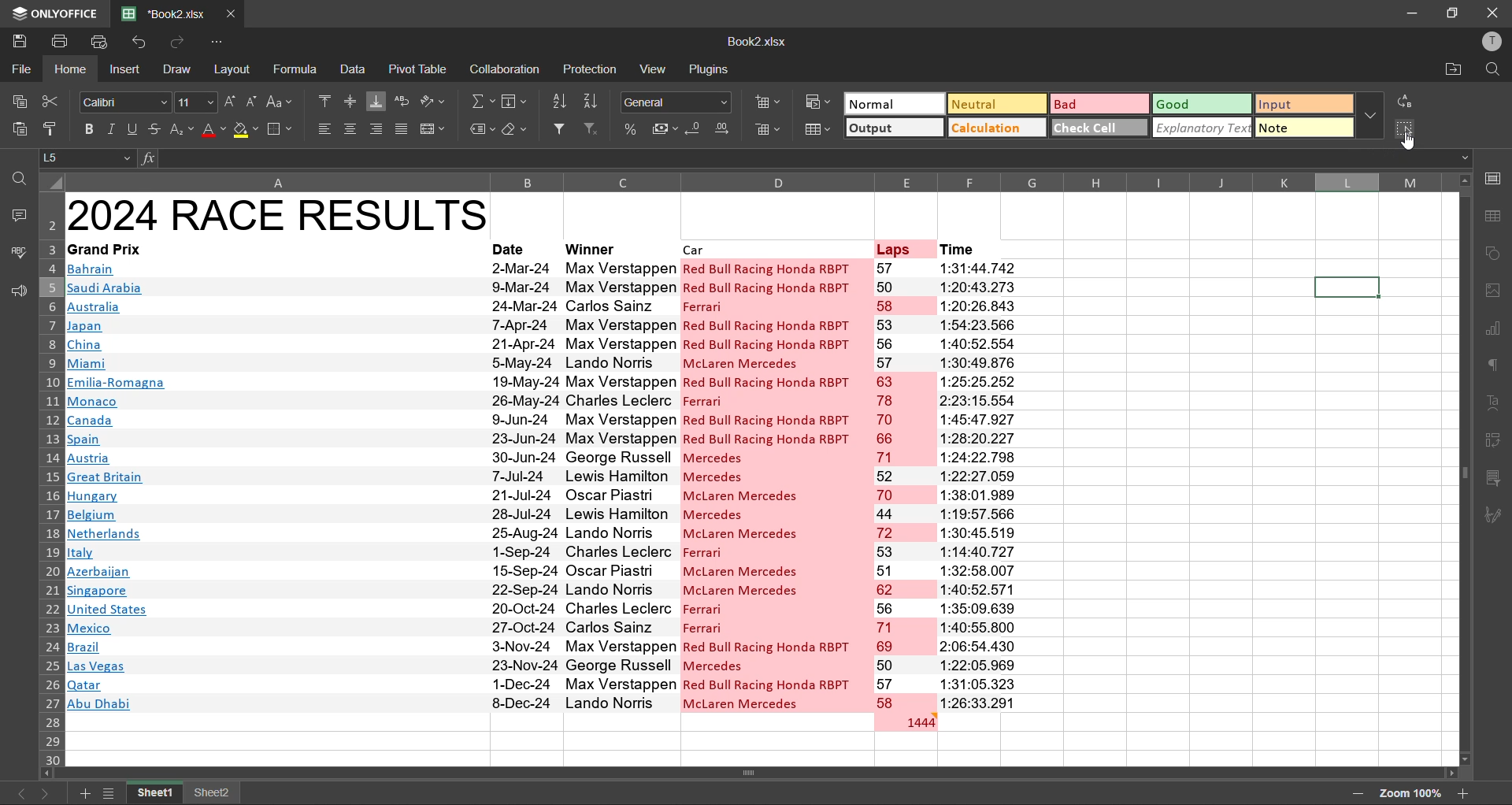 The height and width of the screenshot is (805, 1512). Describe the element at coordinates (1494, 402) in the screenshot. I see `text` at that location.